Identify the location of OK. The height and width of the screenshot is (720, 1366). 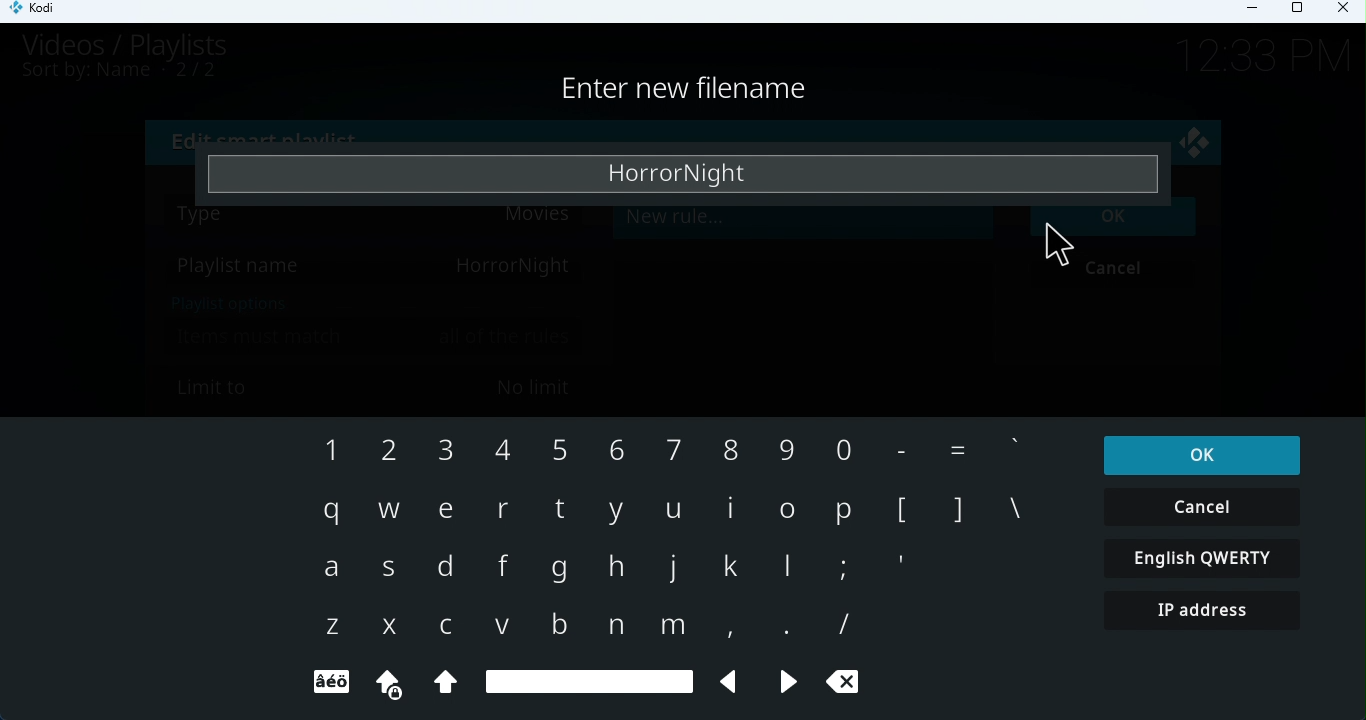
(1199, 454).